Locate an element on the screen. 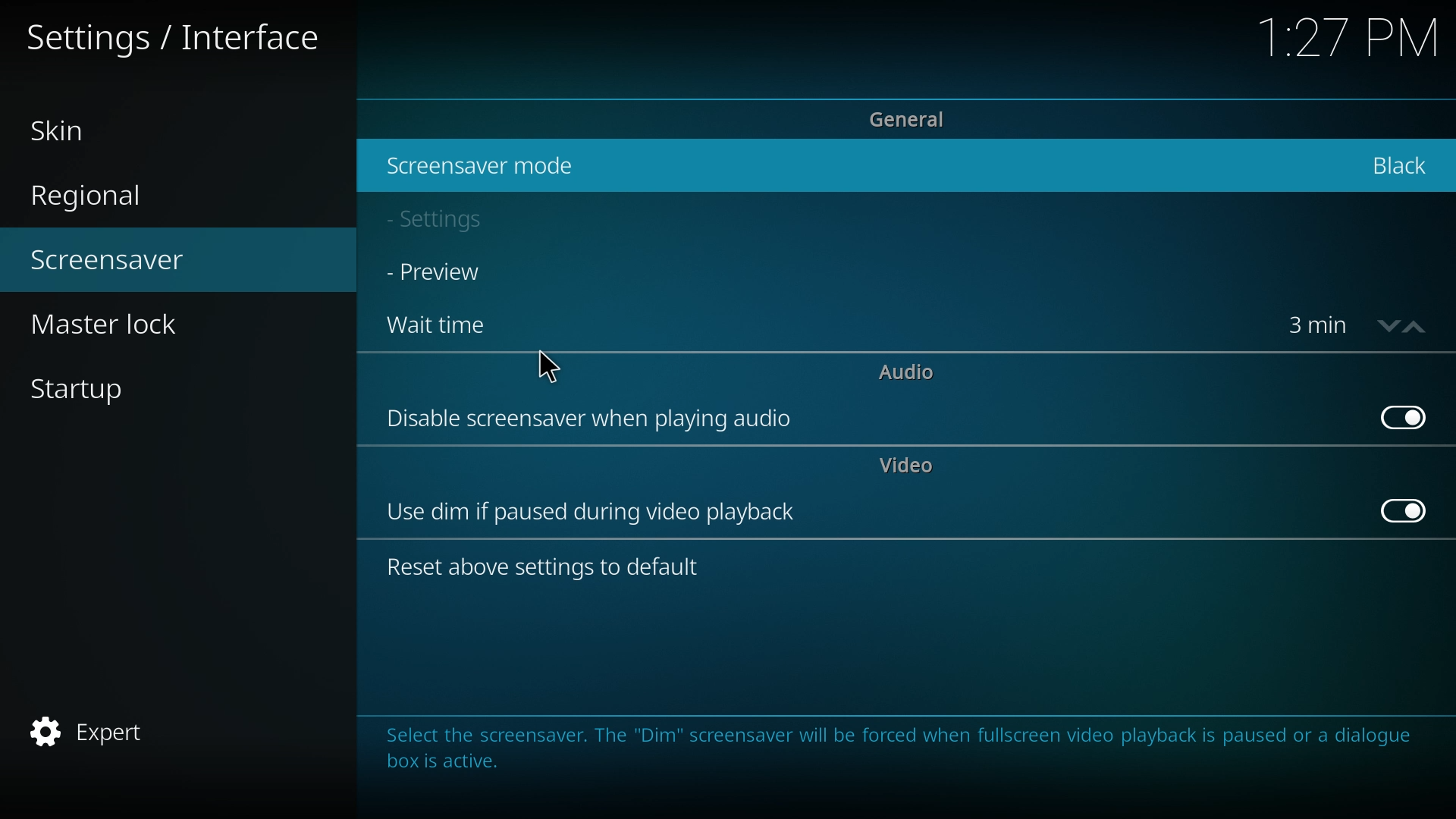 The image size is (1456, 819). audio is located at coordinates (906, 371).